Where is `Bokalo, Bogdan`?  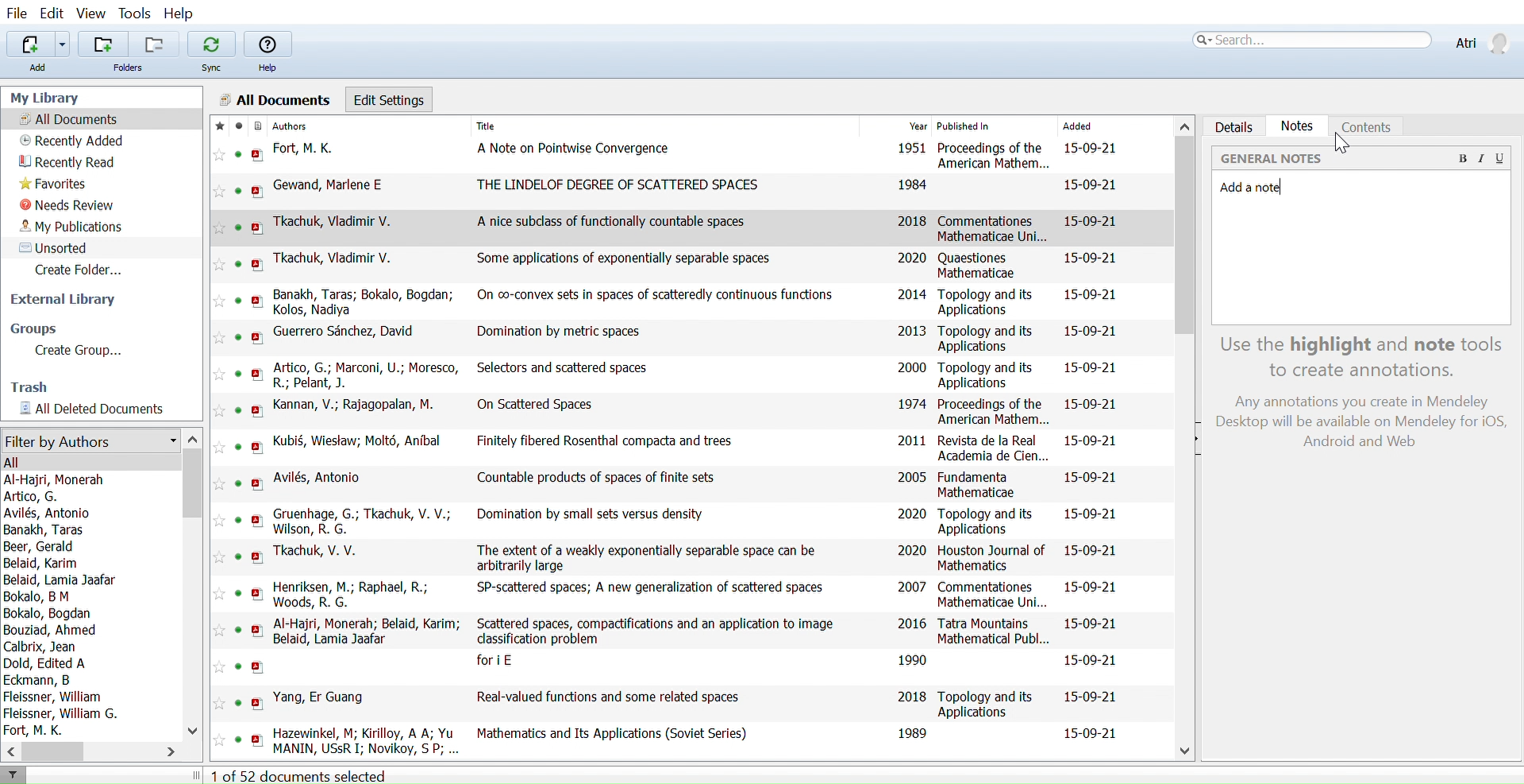
Bokalo, Bogdan is located at coordinates (52, 614).